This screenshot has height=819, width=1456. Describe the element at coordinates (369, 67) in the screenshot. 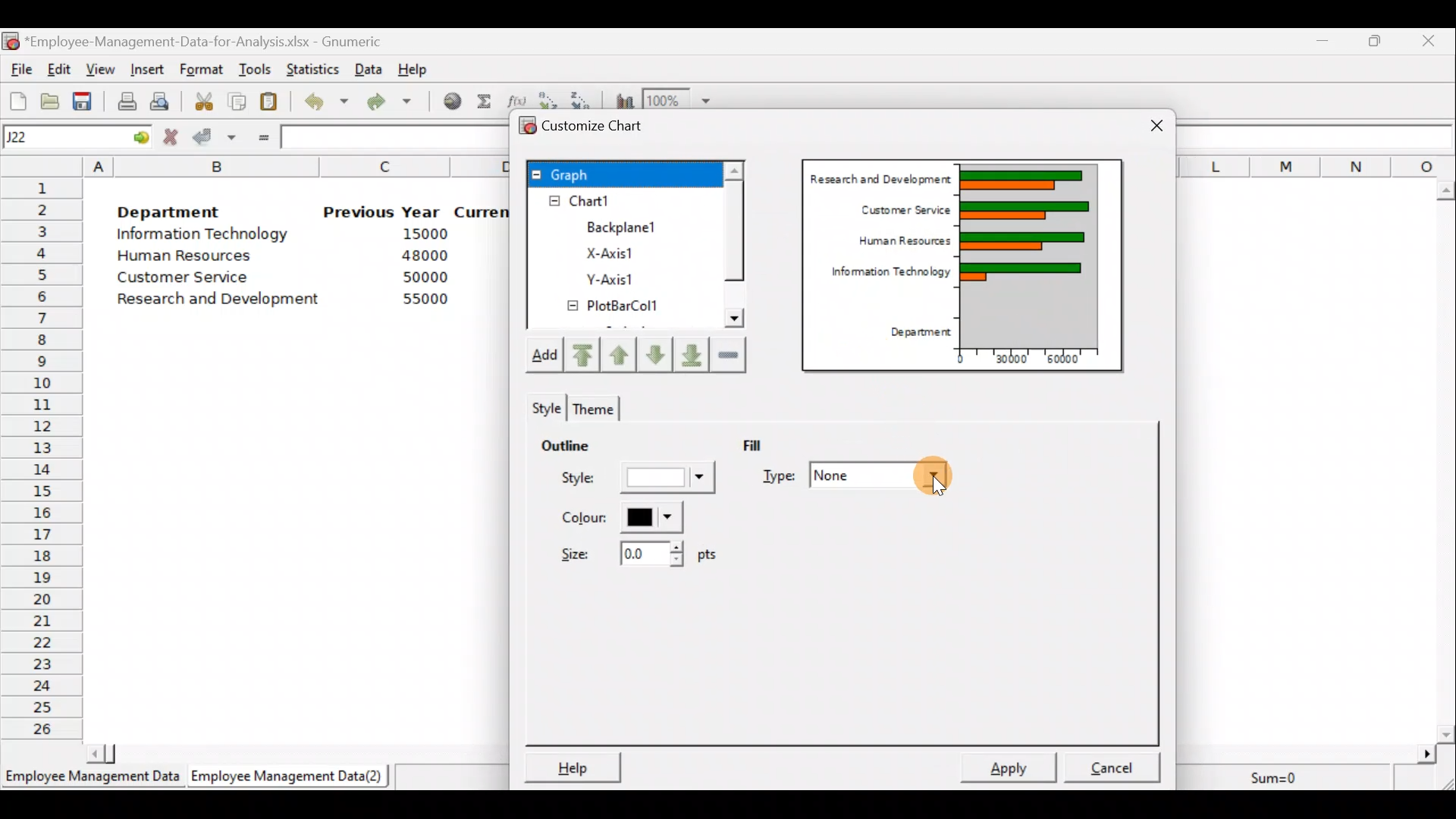

I see `Data` at that location.